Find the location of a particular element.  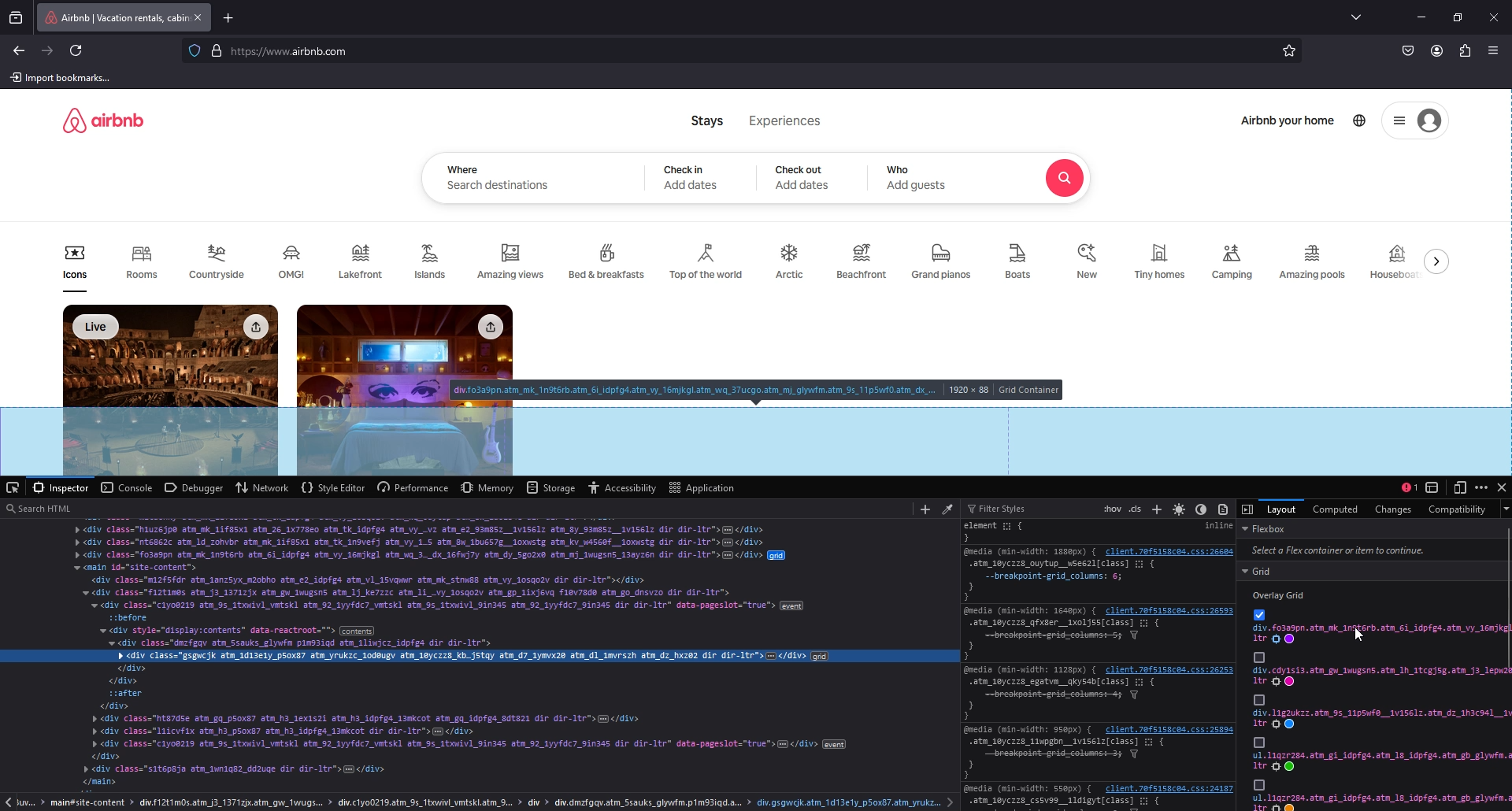

path is located at coordinates (482, 802).